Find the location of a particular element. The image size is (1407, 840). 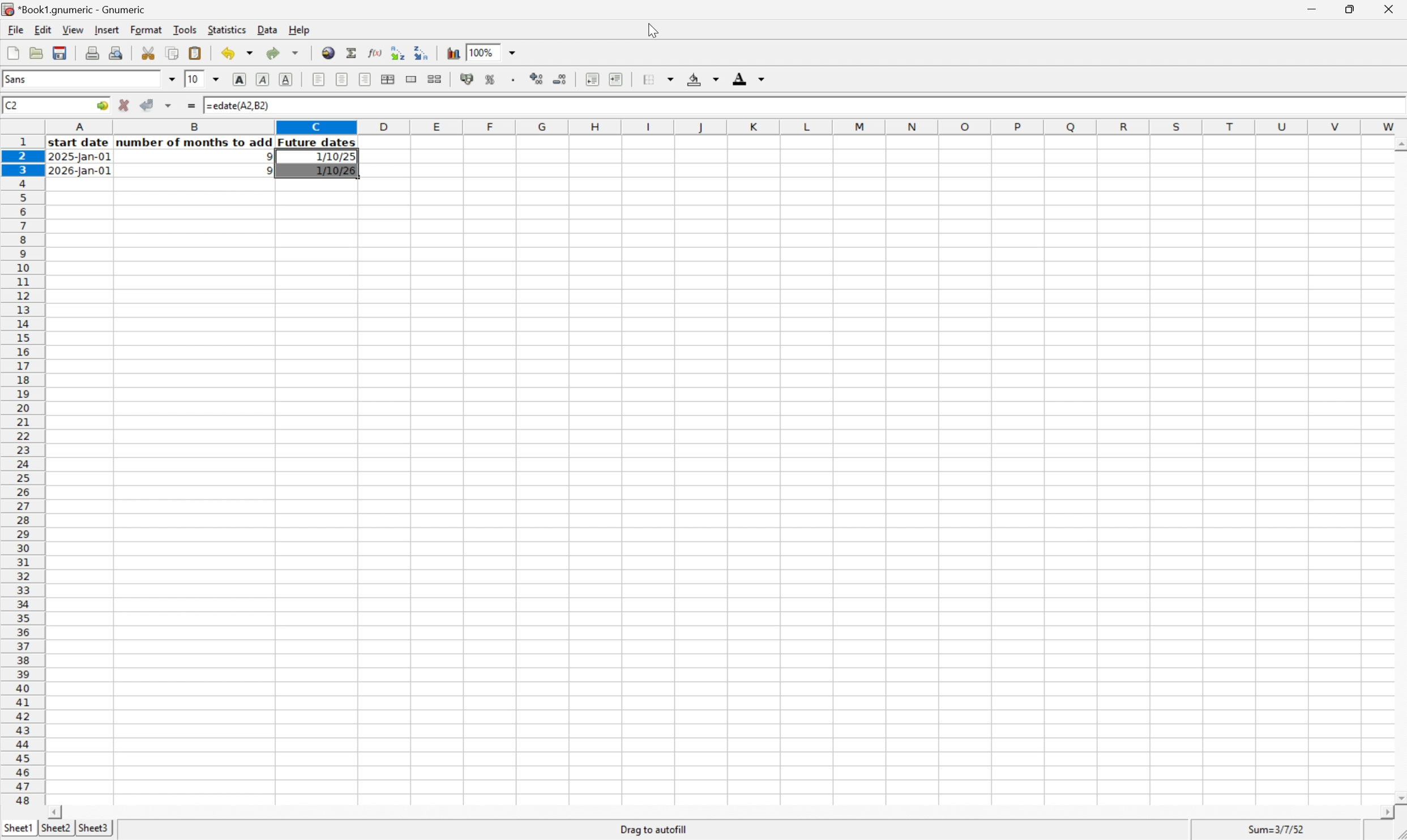

9 is located at coordinates (265, 156).